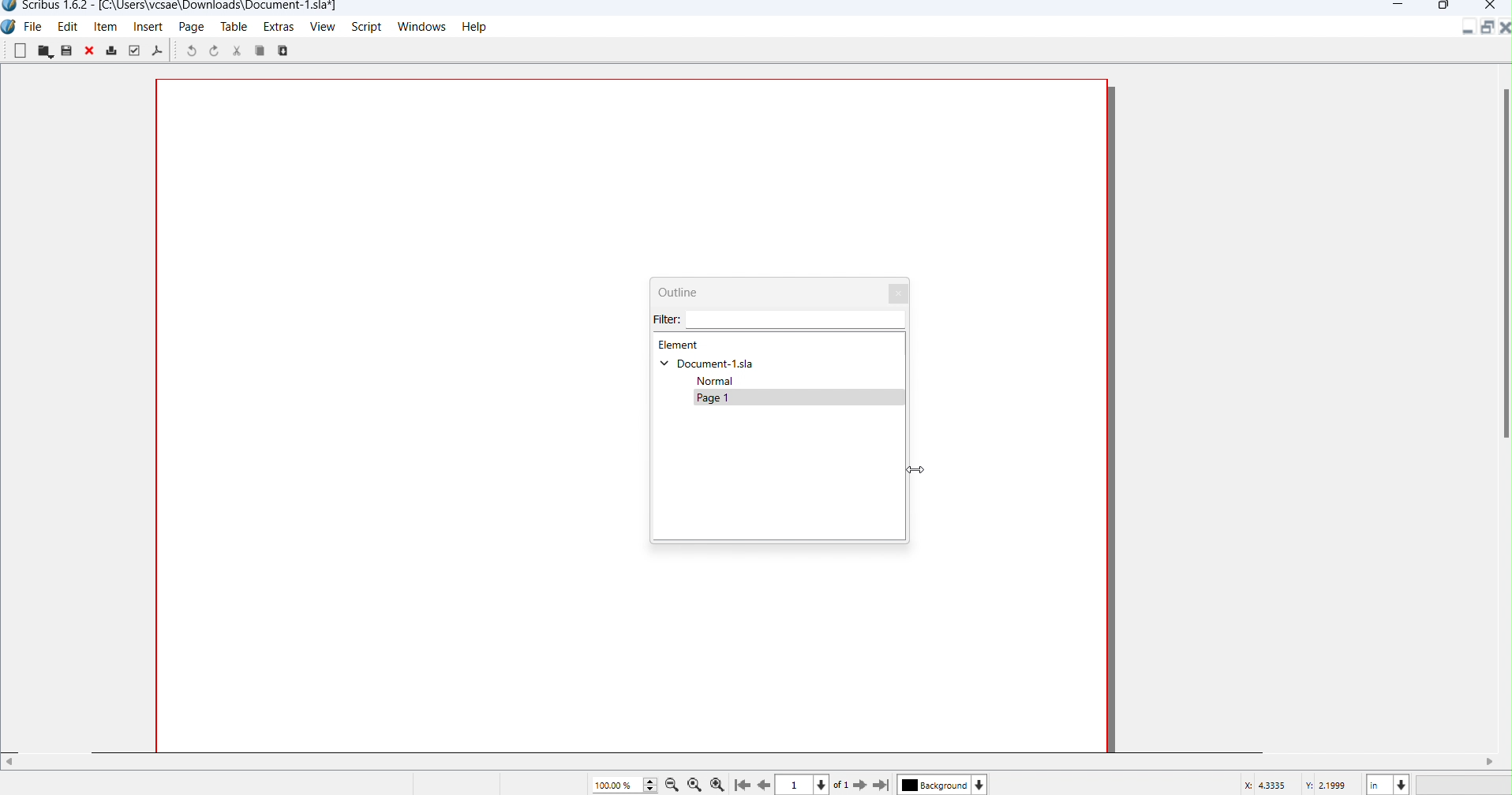 This screenshot has width=1512, height=795. What do you see at coordinates (481, 28) in the screenshot?
I see `help` at bounding box center [481, 28].